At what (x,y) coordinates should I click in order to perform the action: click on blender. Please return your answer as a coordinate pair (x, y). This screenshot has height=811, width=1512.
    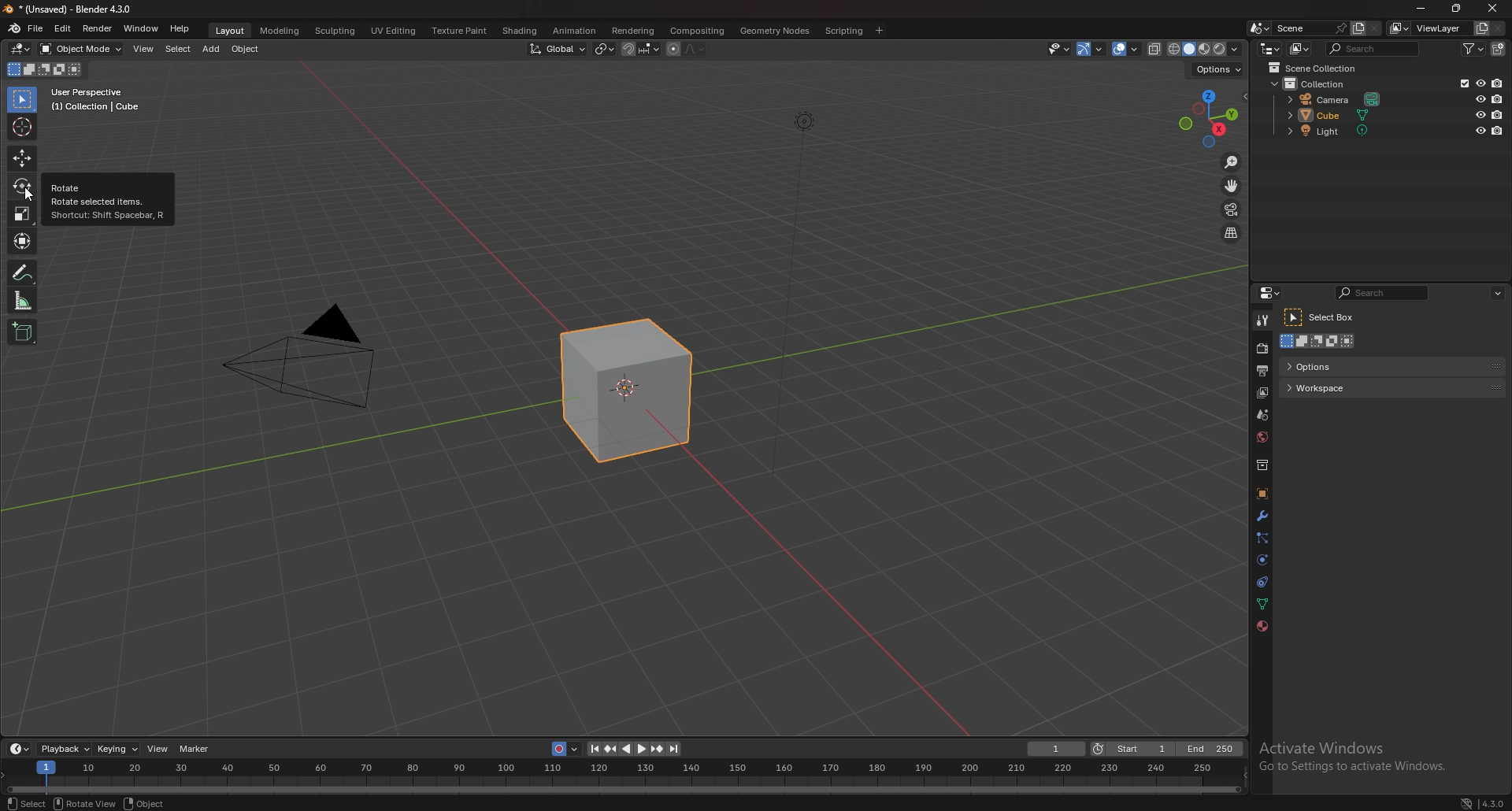
    Looking at the image, I should click on (14, 28).